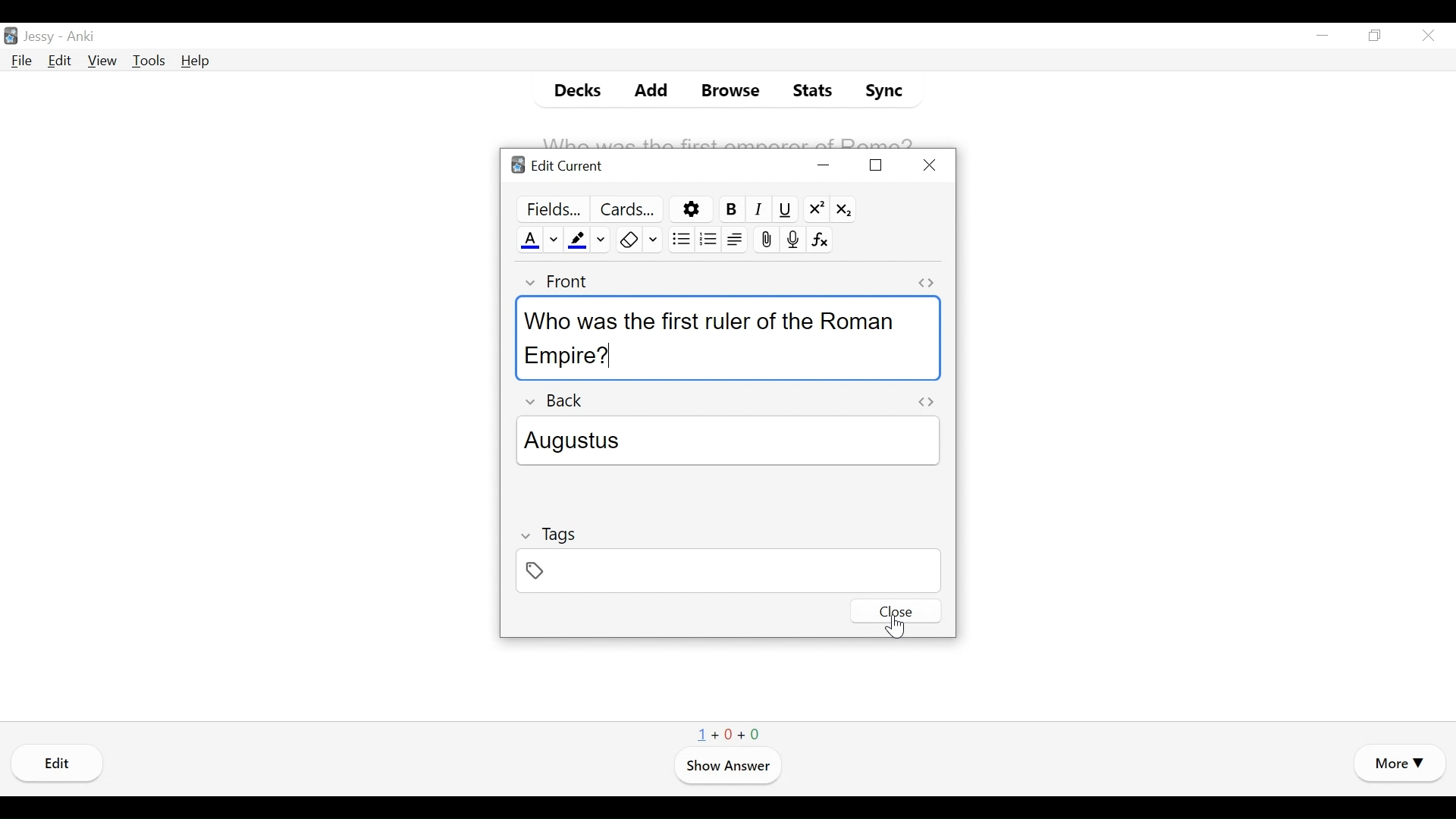  What do you see at coordinates (791, 240) in the screenshot?
I see `Record audio` at bounding box center [791, 240].